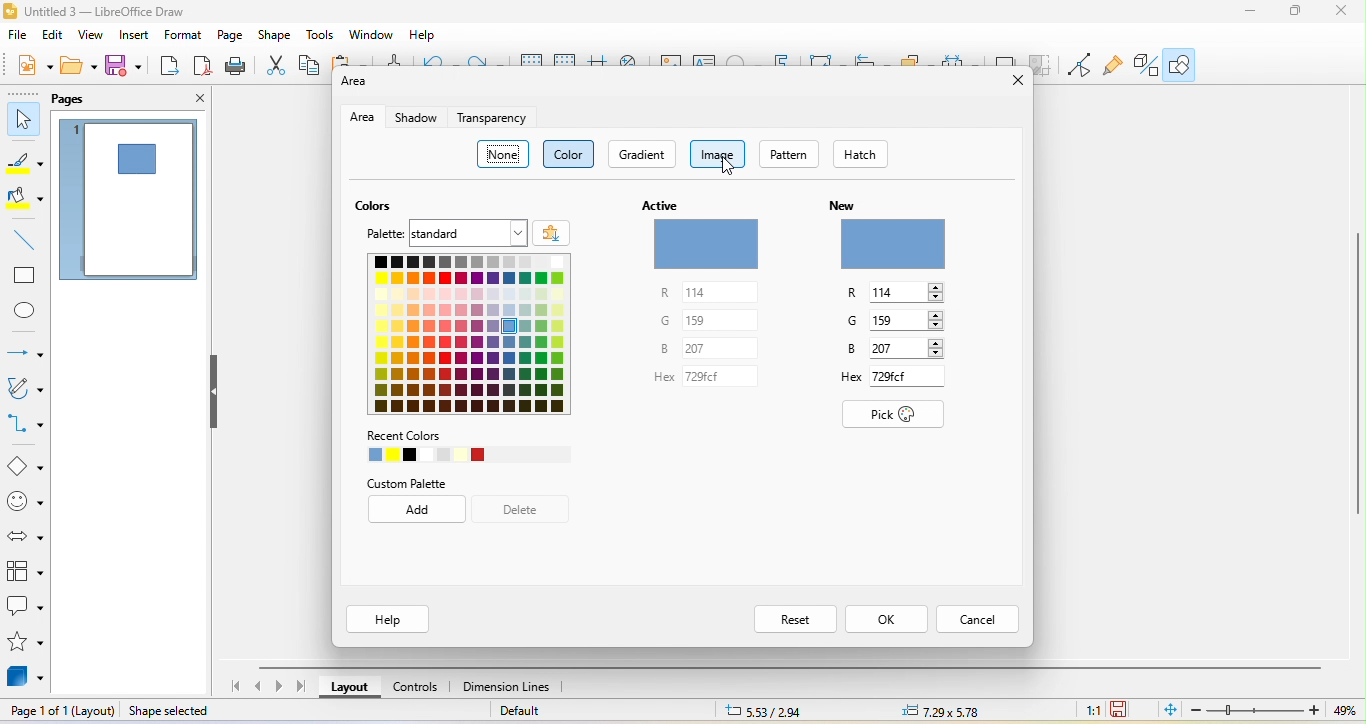 This screenshot has height=724, width=1366. Describe the element at coordinates (526, 510) in the screenshot. I see `delete` at that location.